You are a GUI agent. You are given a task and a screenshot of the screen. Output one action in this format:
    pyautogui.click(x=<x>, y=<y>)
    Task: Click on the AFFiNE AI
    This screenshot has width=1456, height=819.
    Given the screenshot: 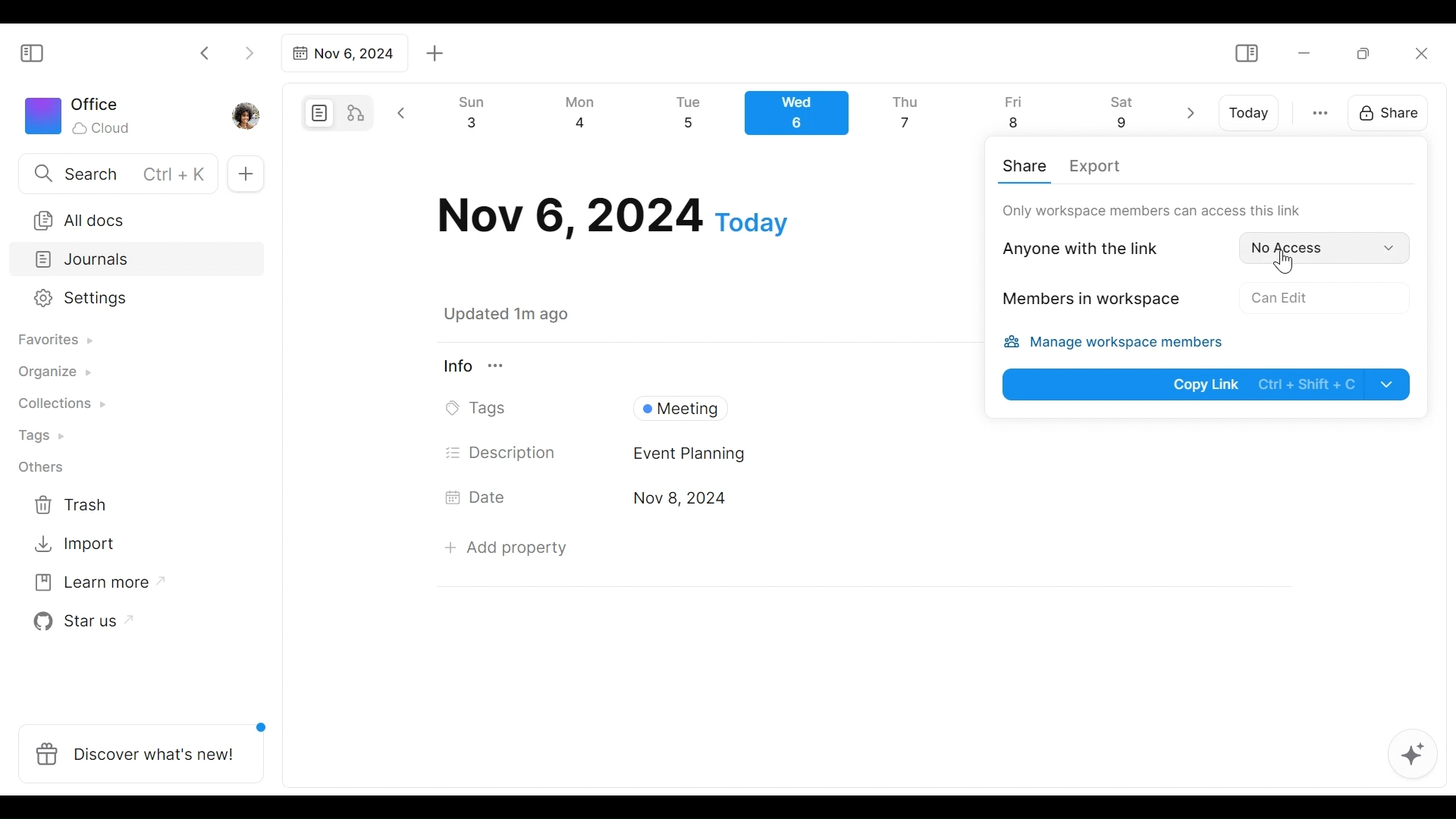 What is the action you would take?
    pyautogui.click(x=1413, y=756)
    